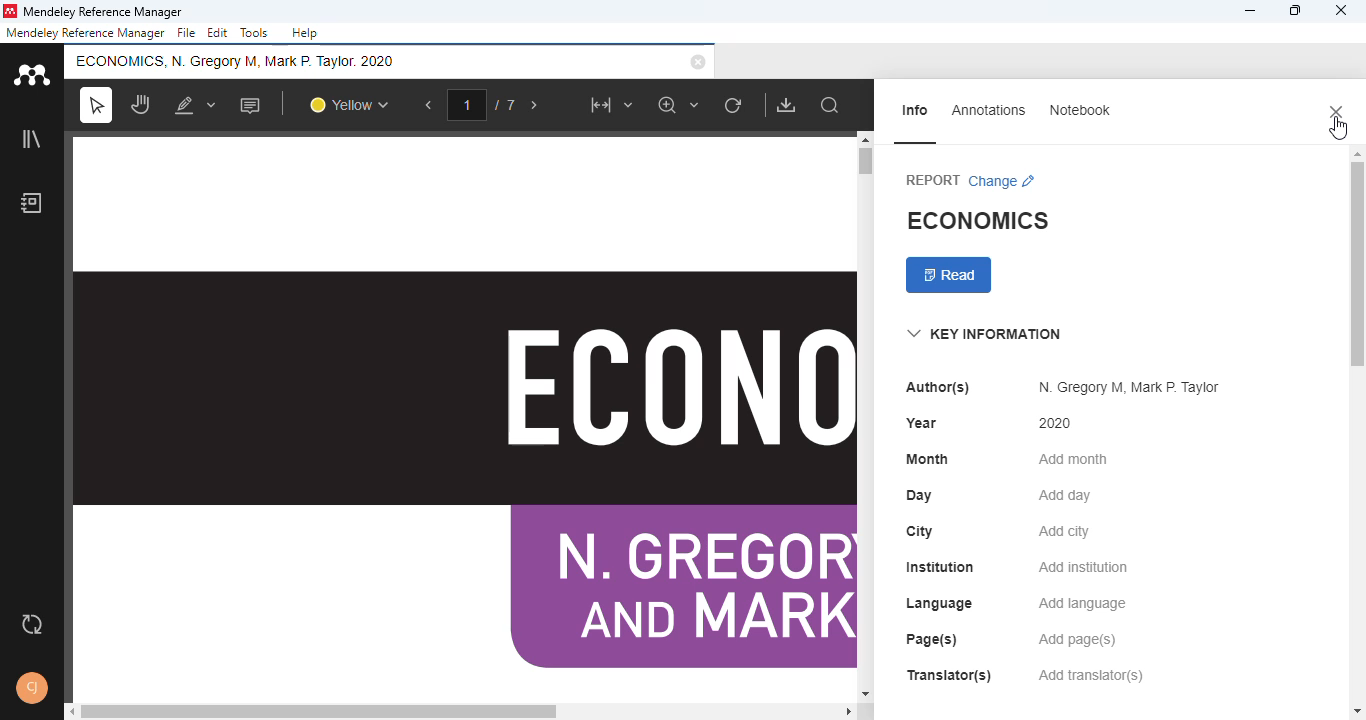  Describe the element at coordinates (238, 60) in the screenshot. I see `ECONOMICS, N. Gregory M, Mark P. Taylor. 2020` at that location.